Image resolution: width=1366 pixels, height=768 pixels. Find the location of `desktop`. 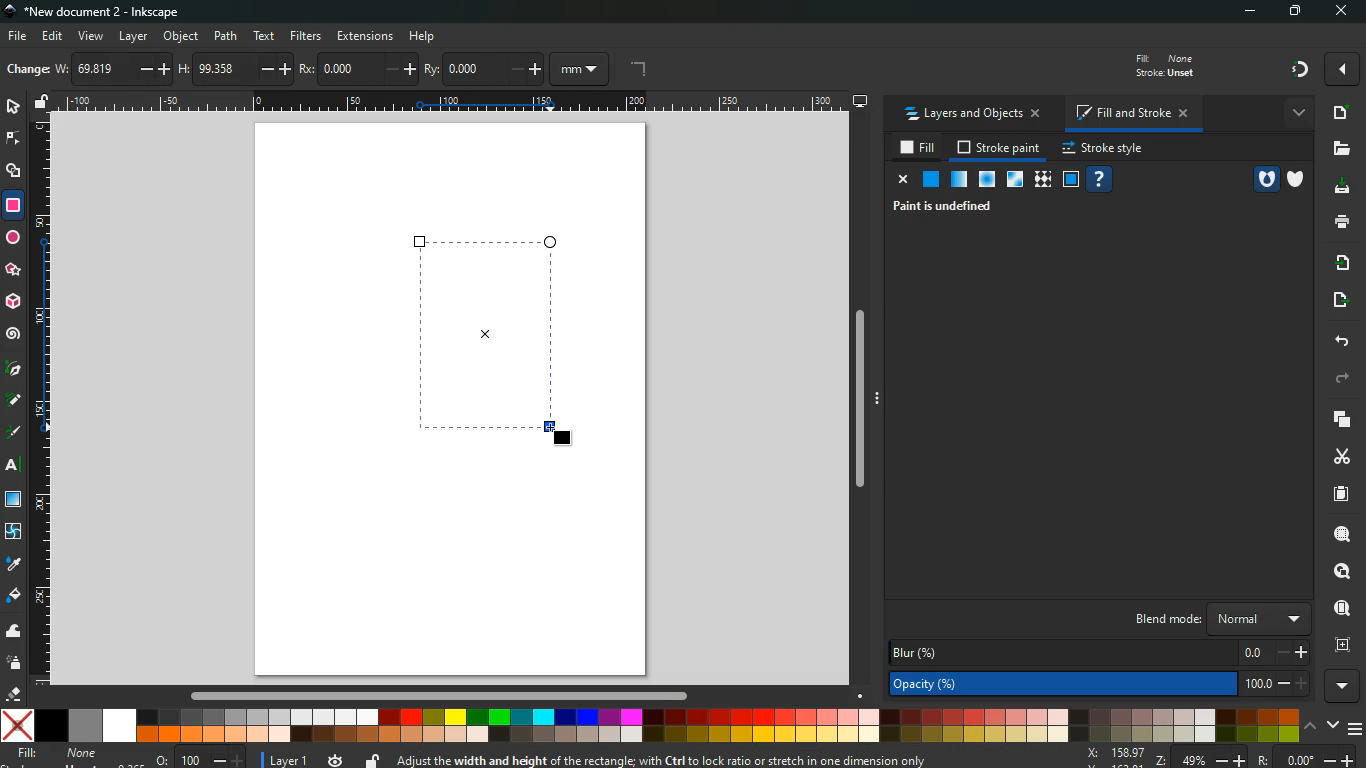

desktop is located at coordinates (853, 102).